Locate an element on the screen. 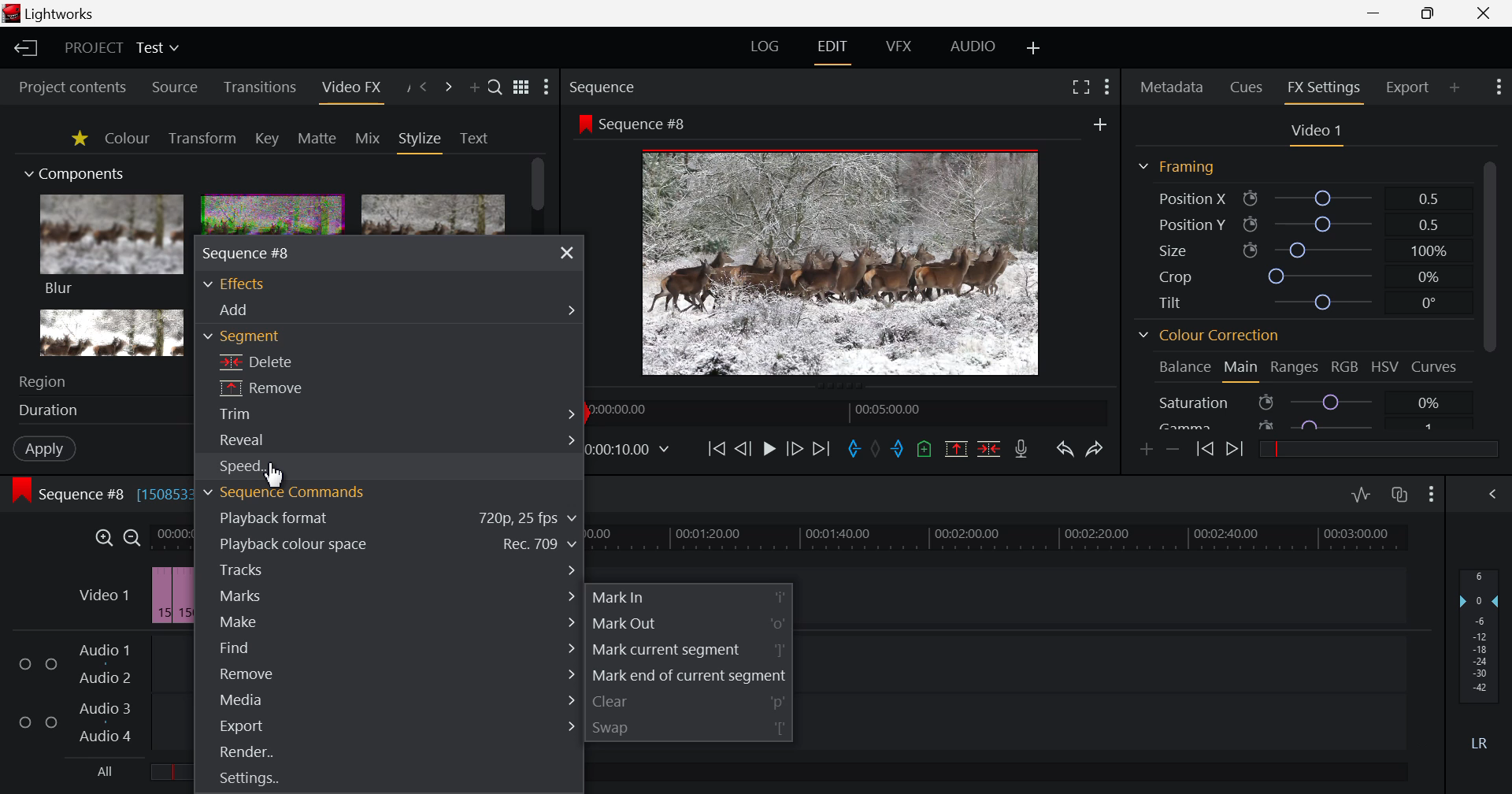 This screenshot has height=794, width=1512. Duration is located at coordinates (96, 410).